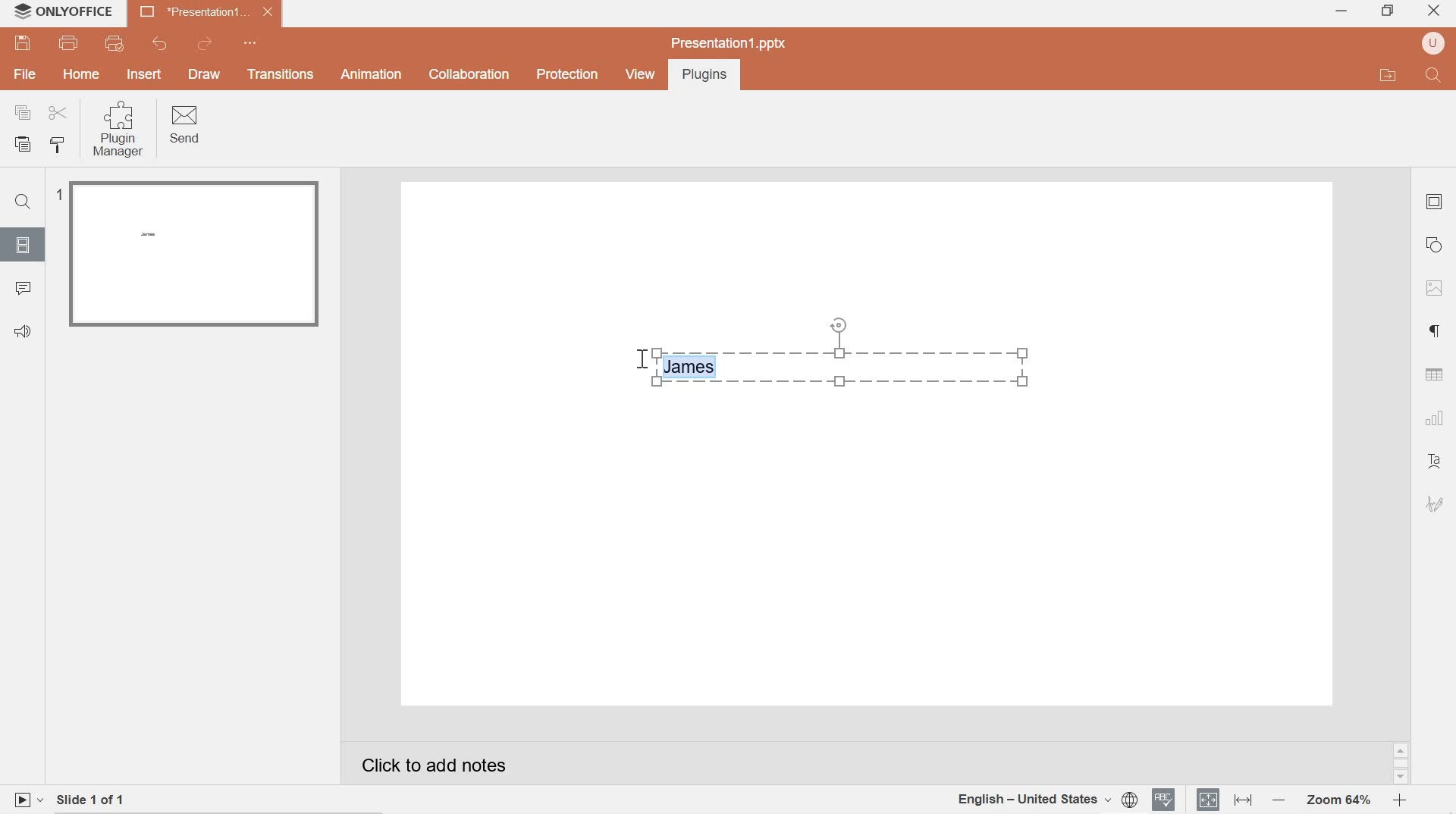  Describe the element at coordinates (190, 254) in the screenshot. I see `slide 1` at that location.